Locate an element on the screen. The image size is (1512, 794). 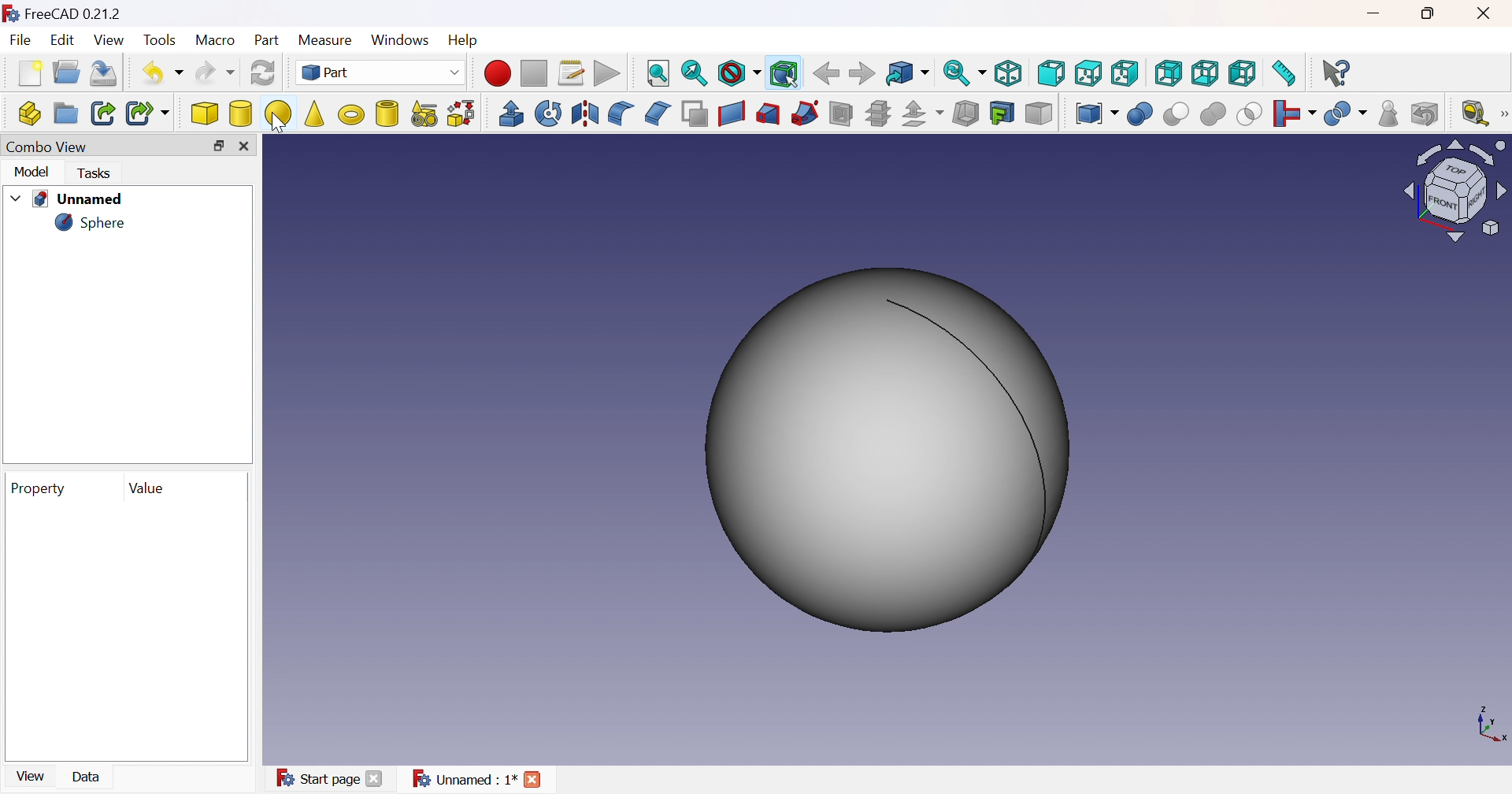
Revolve is located at coordinates (550, 111).